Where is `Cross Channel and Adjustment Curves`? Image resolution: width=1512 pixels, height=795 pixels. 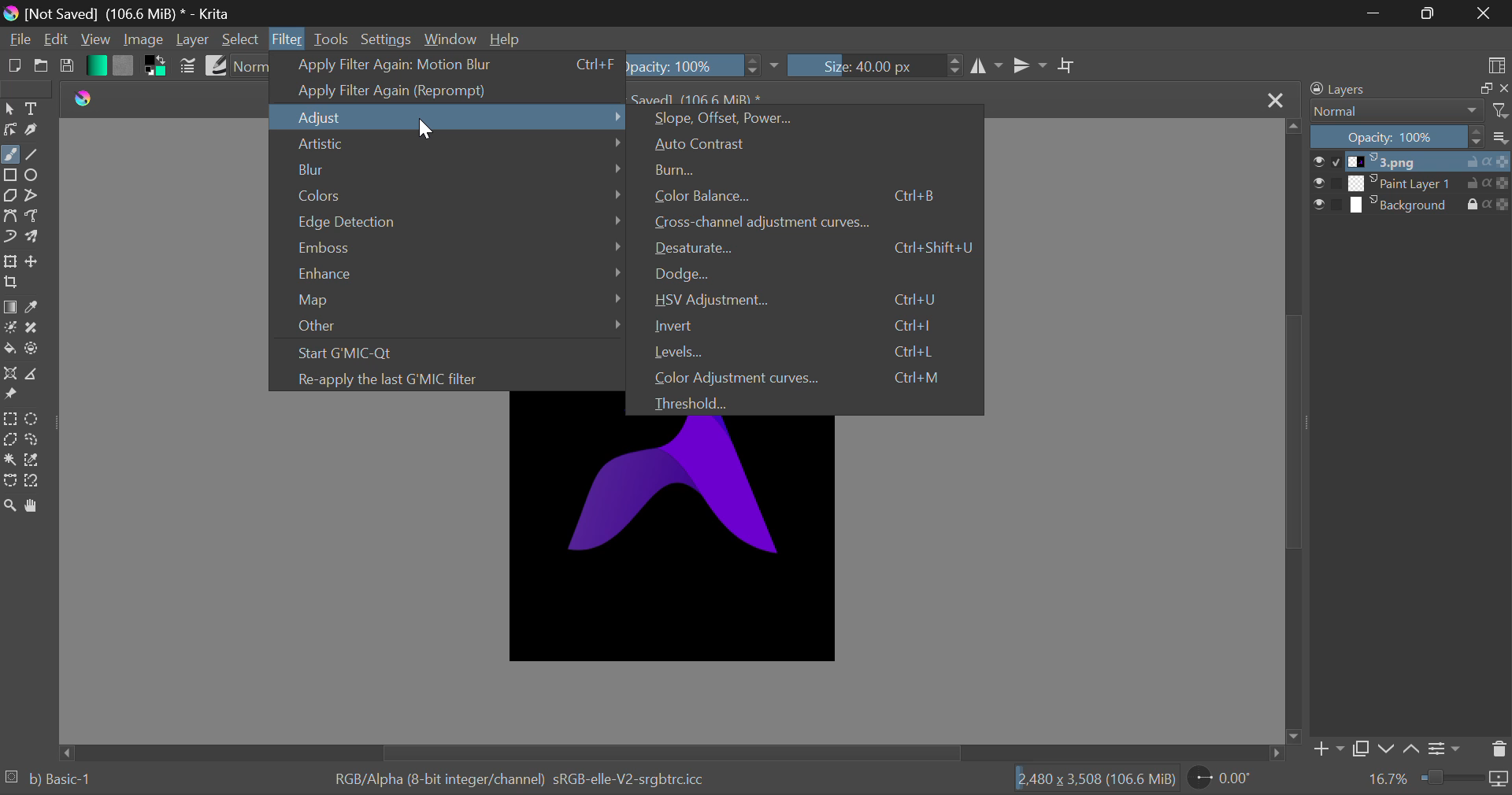
Cross Channel and Adjustment Curves is located at coordinates (814, 223).